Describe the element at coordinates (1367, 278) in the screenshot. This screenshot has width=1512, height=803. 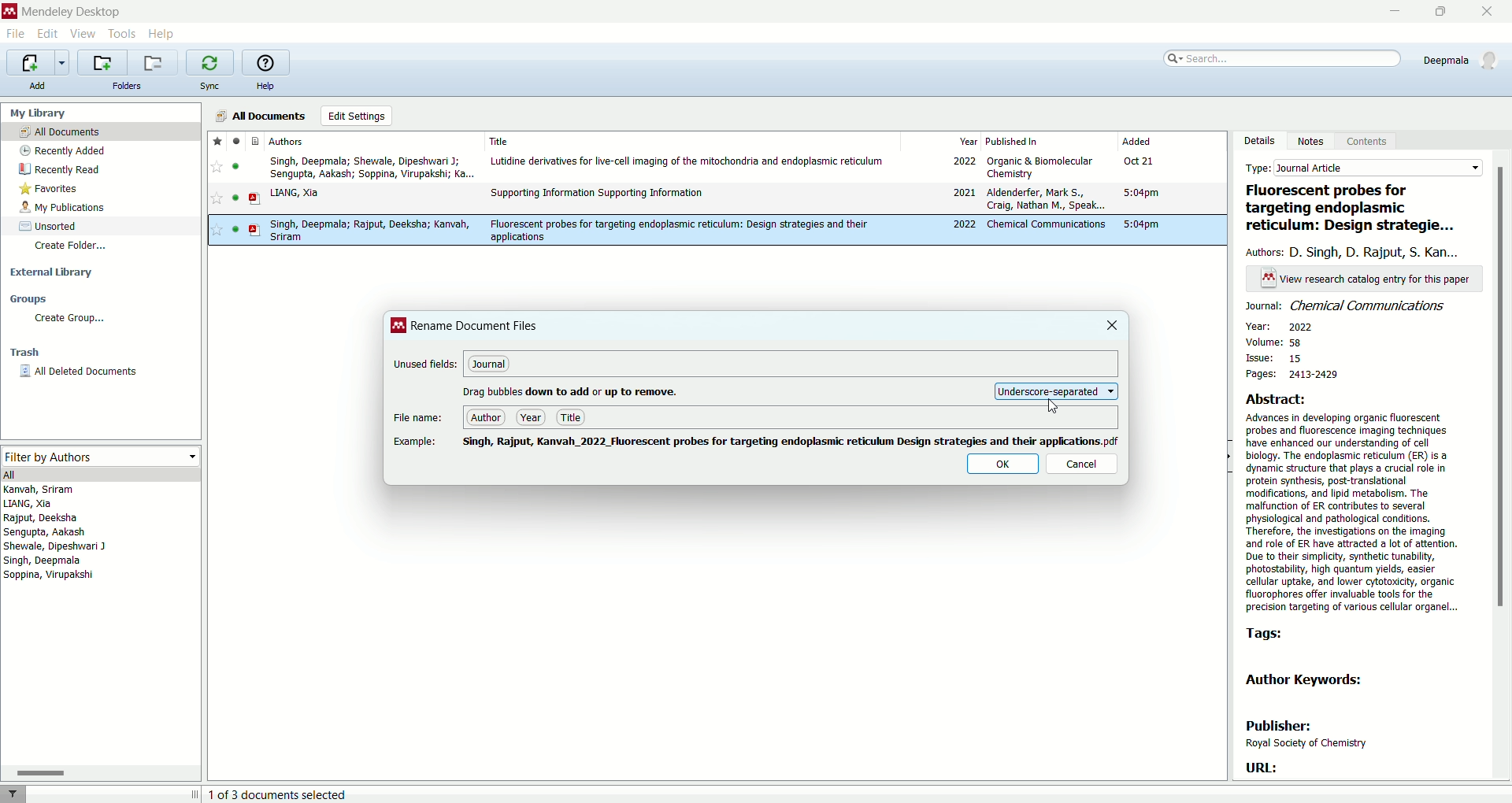
I see `text` at that location.